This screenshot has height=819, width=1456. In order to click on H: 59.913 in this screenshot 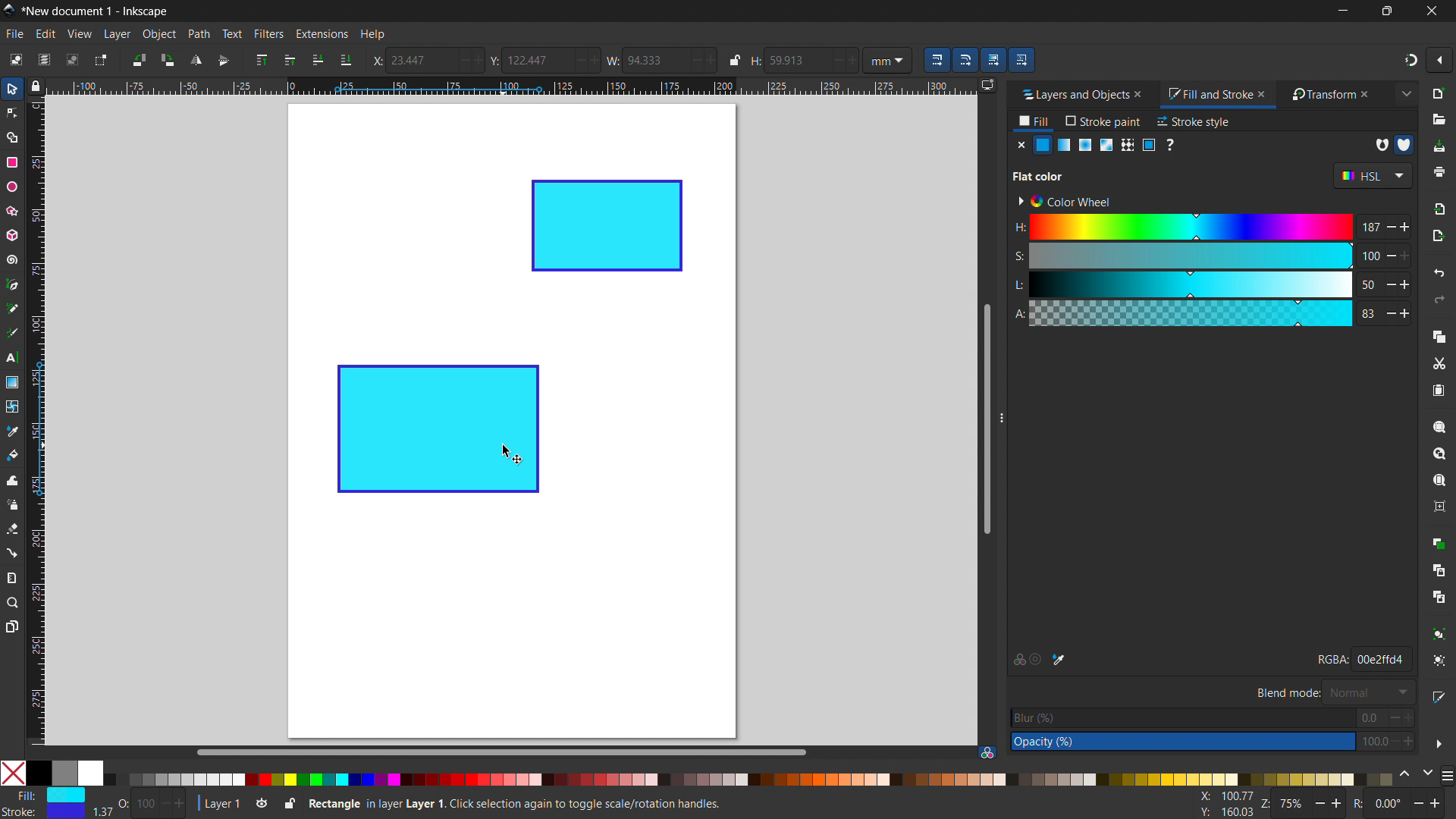, I will do `click(781, 60)`.